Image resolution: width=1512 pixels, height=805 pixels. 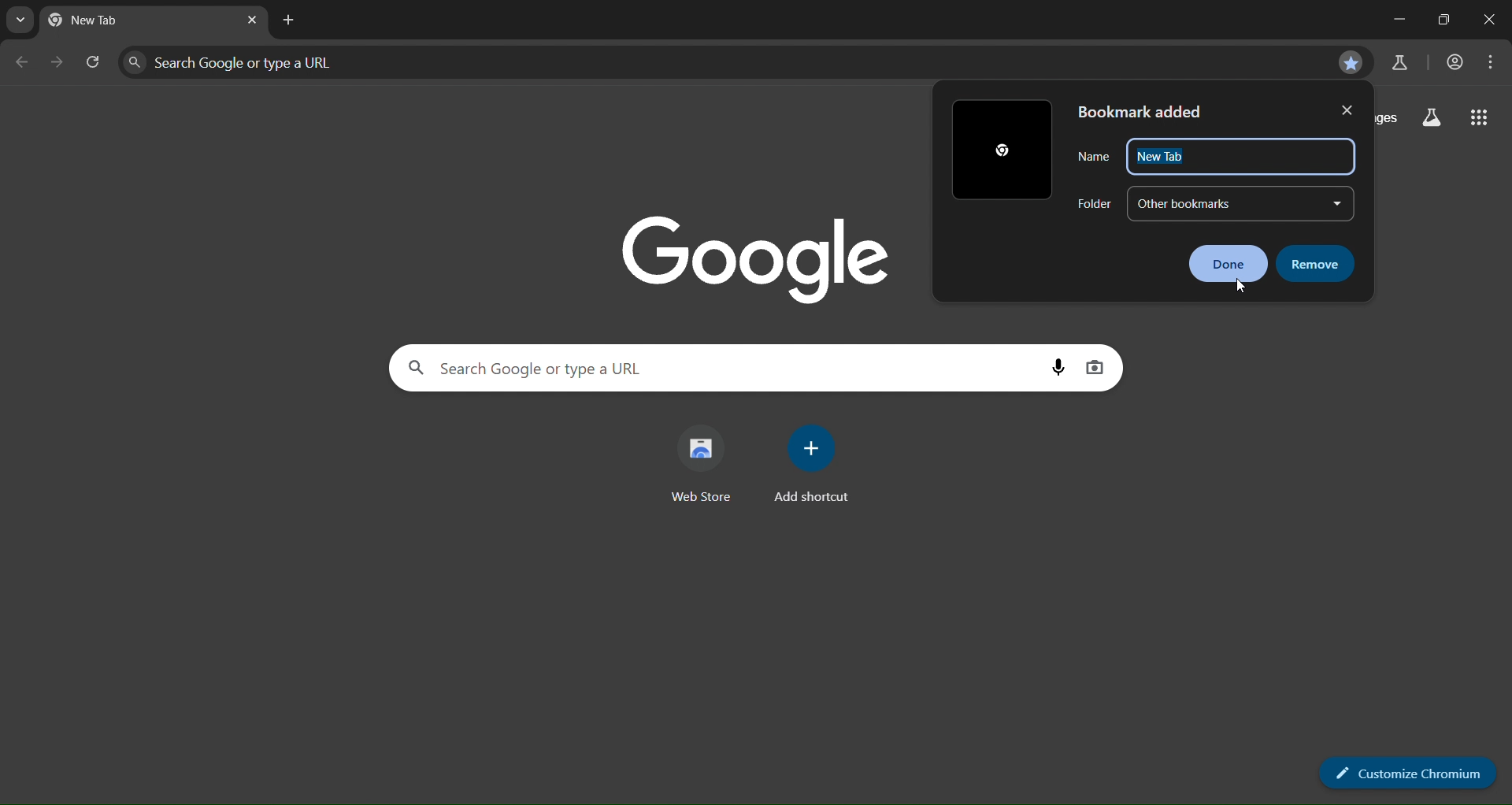 I want to click on go forward one page, so click(x=59, y=63).